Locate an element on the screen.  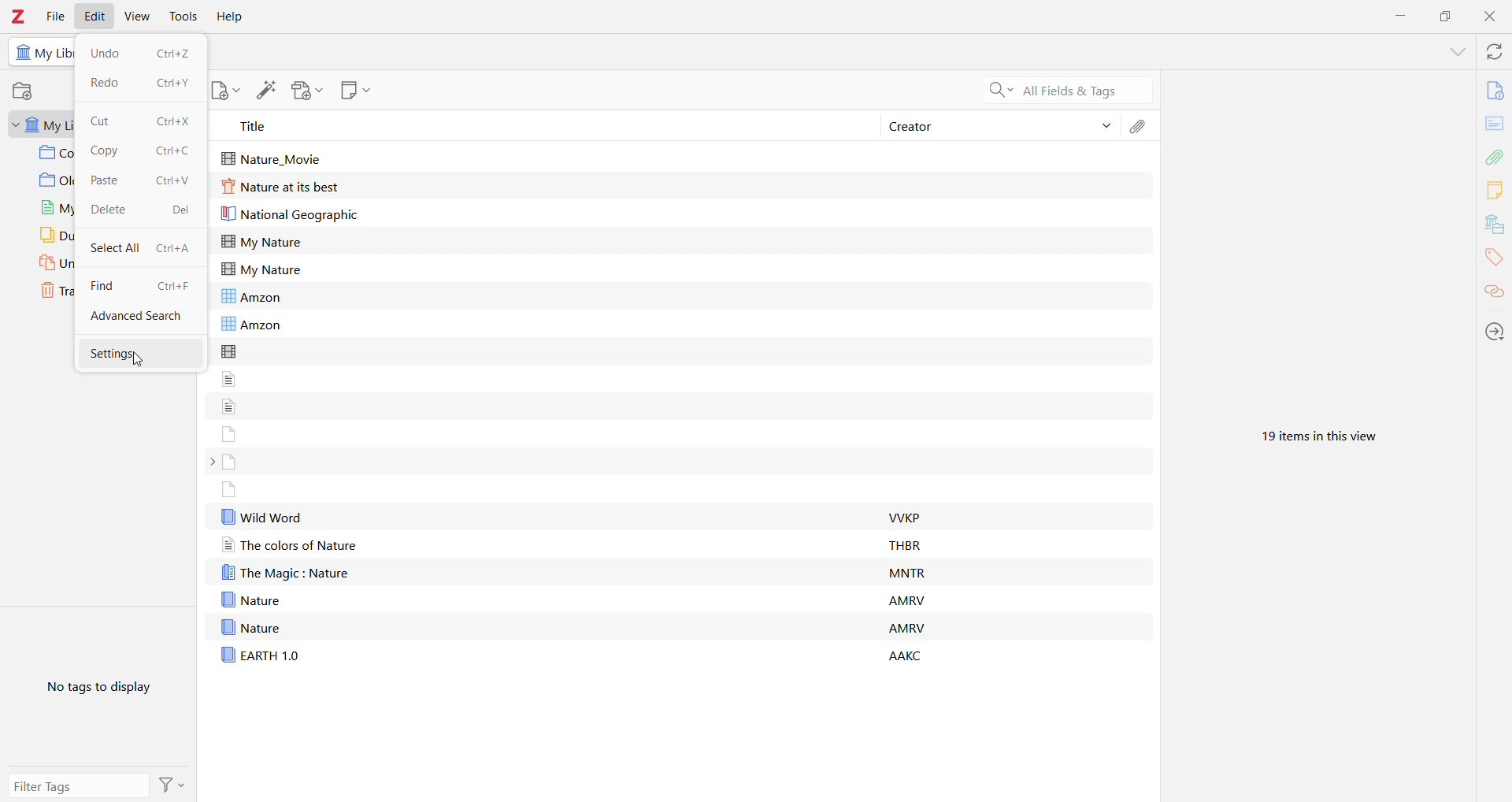
Advanced Search is located at coordinates (139, 317).